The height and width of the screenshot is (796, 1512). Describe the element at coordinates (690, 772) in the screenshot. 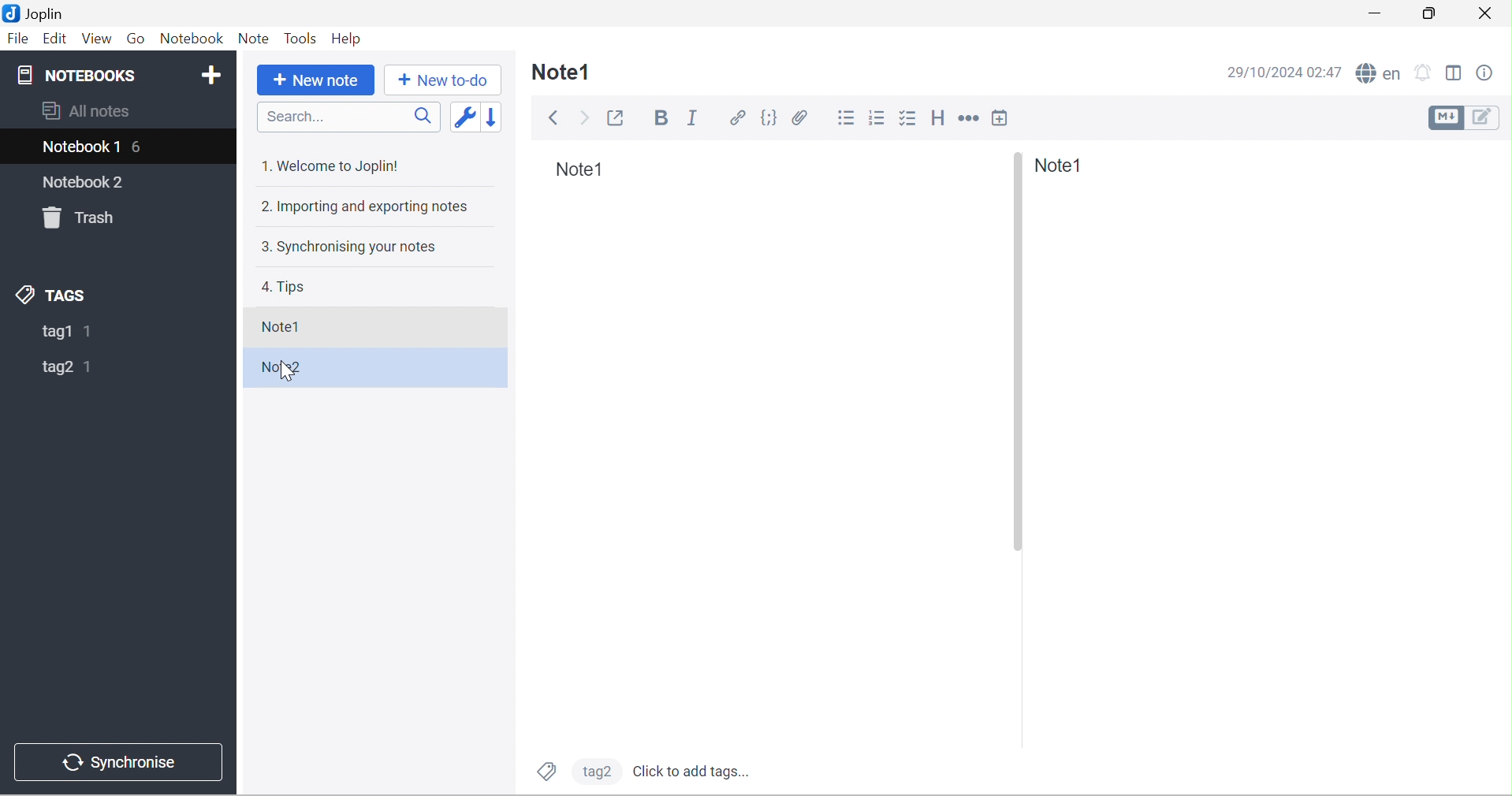

I see `Click to add tags...` at that location.